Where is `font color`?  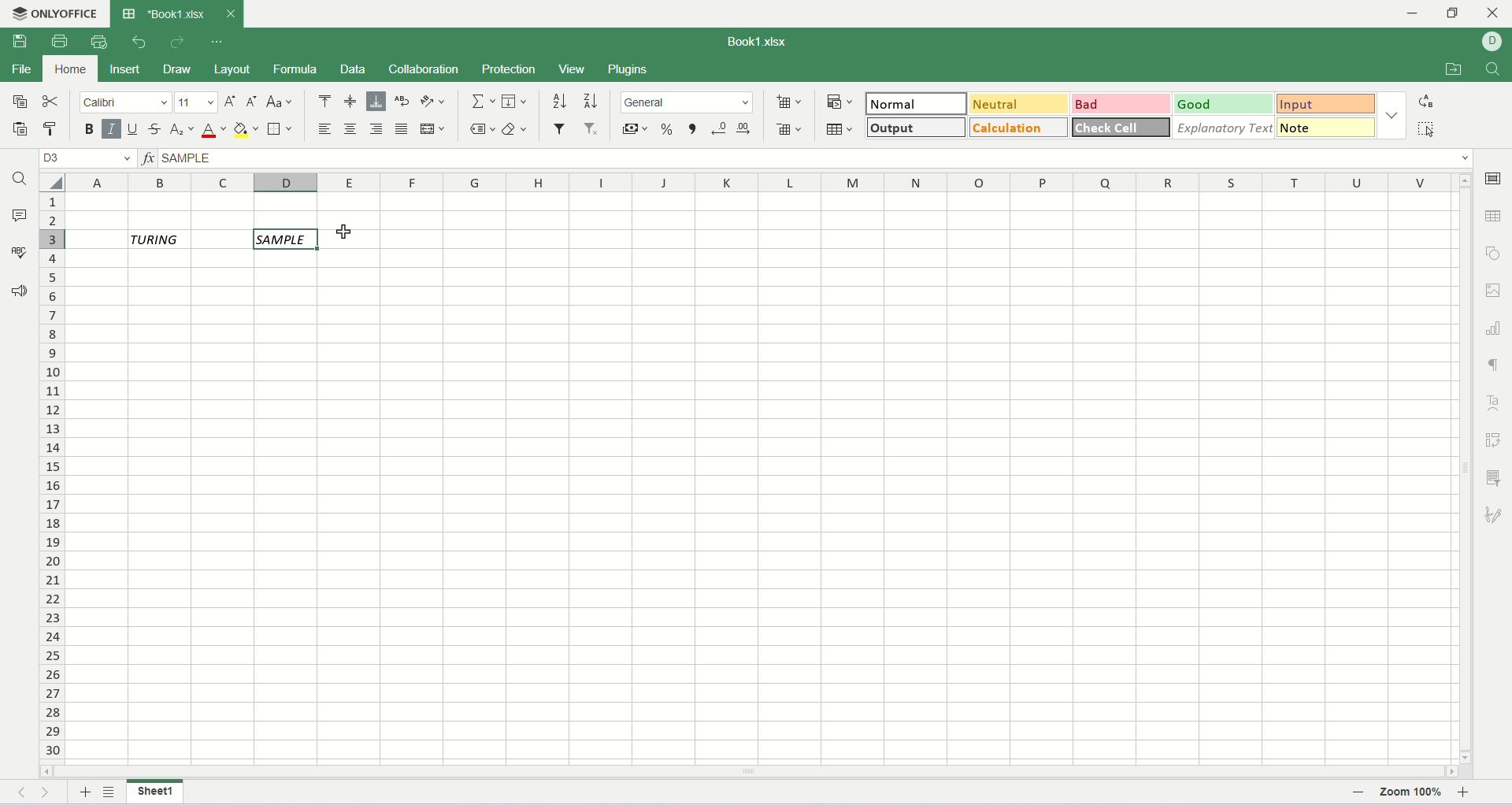
font color is located at coordinates (214, 130).